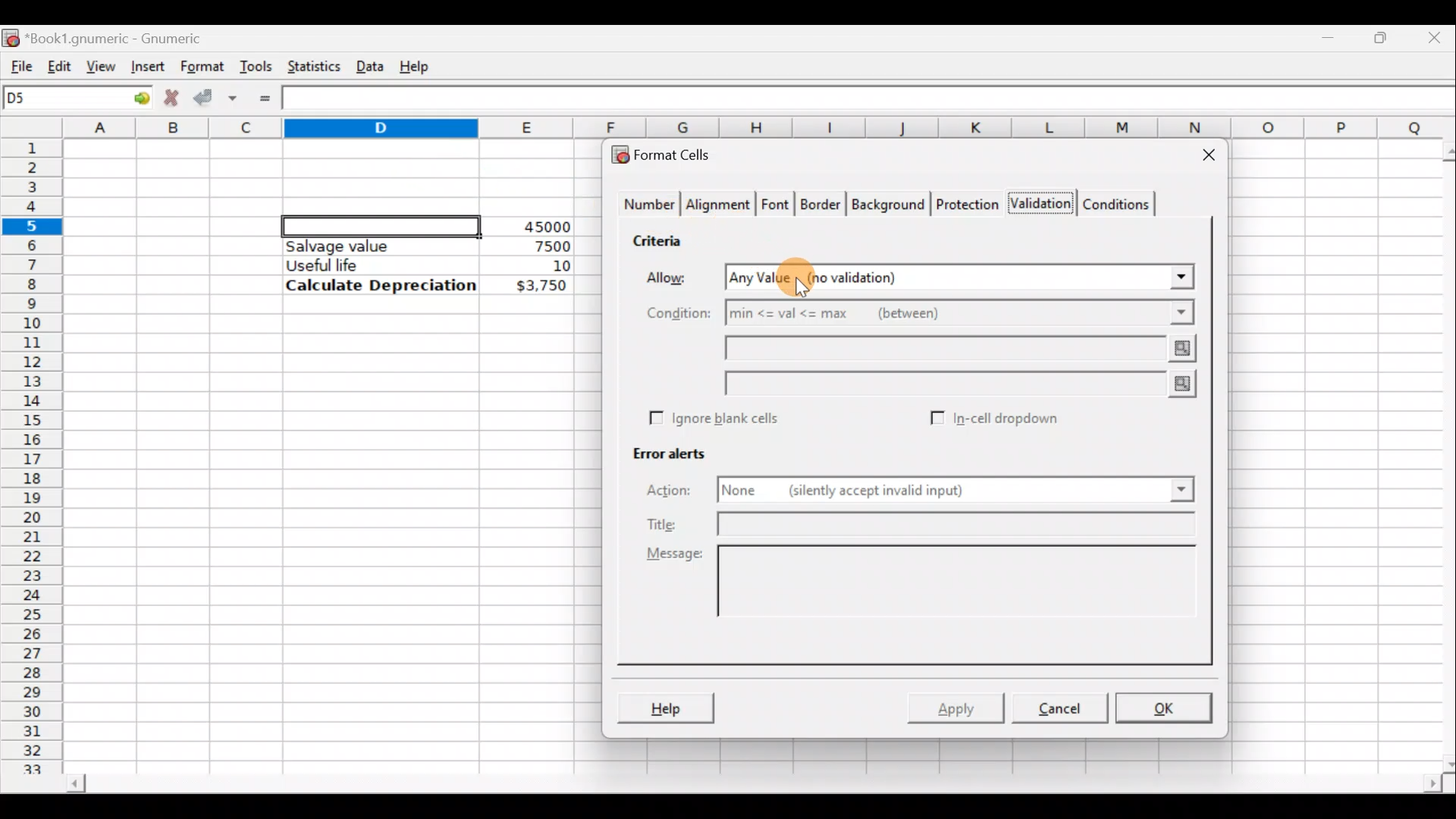  Describe the element at coordinates (1166, 312) in the screenshot. I see `Conditions drop down` at that location.